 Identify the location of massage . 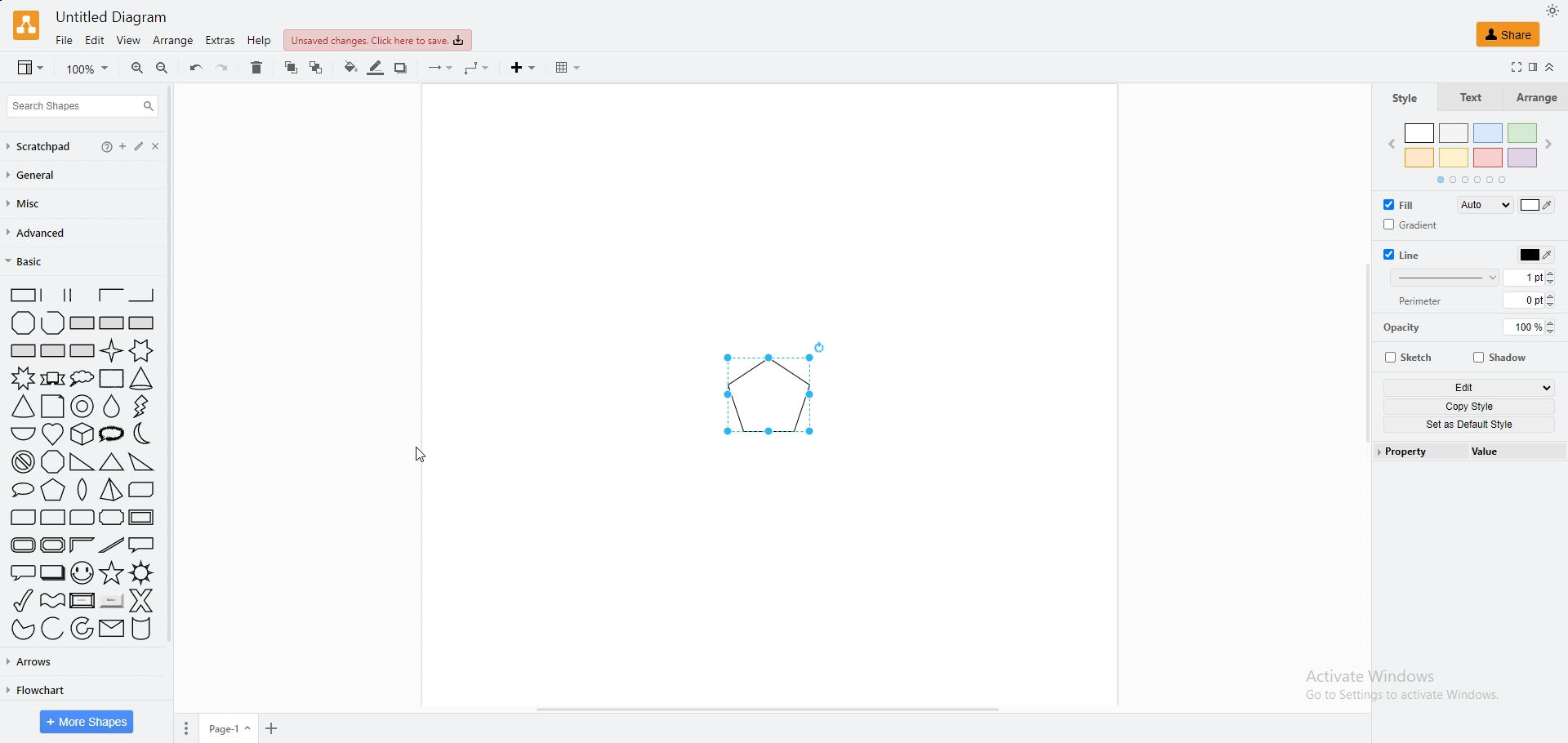
(111, 629).